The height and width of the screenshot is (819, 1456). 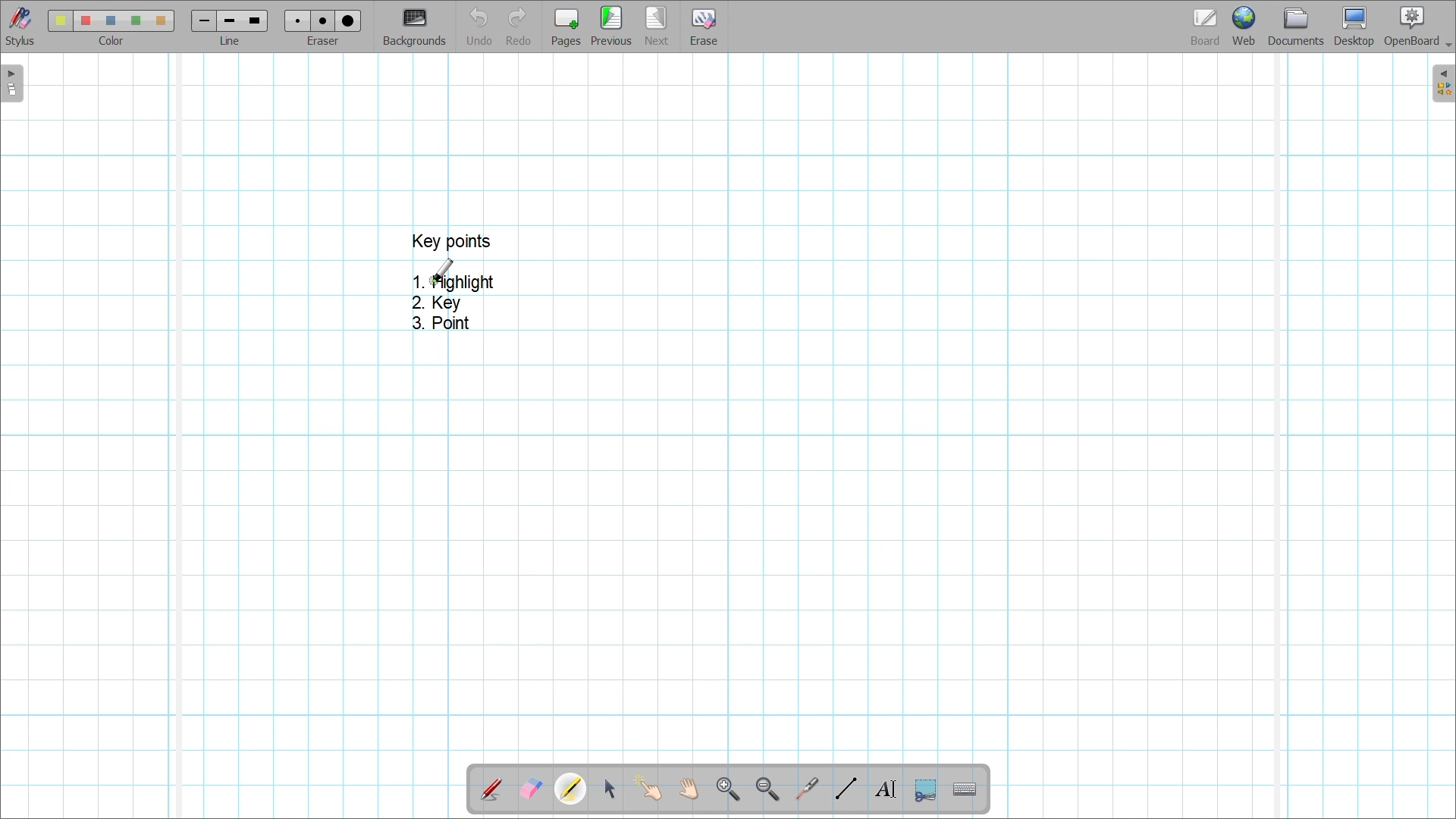 I want to click on color3, so click(x=111, y=21).